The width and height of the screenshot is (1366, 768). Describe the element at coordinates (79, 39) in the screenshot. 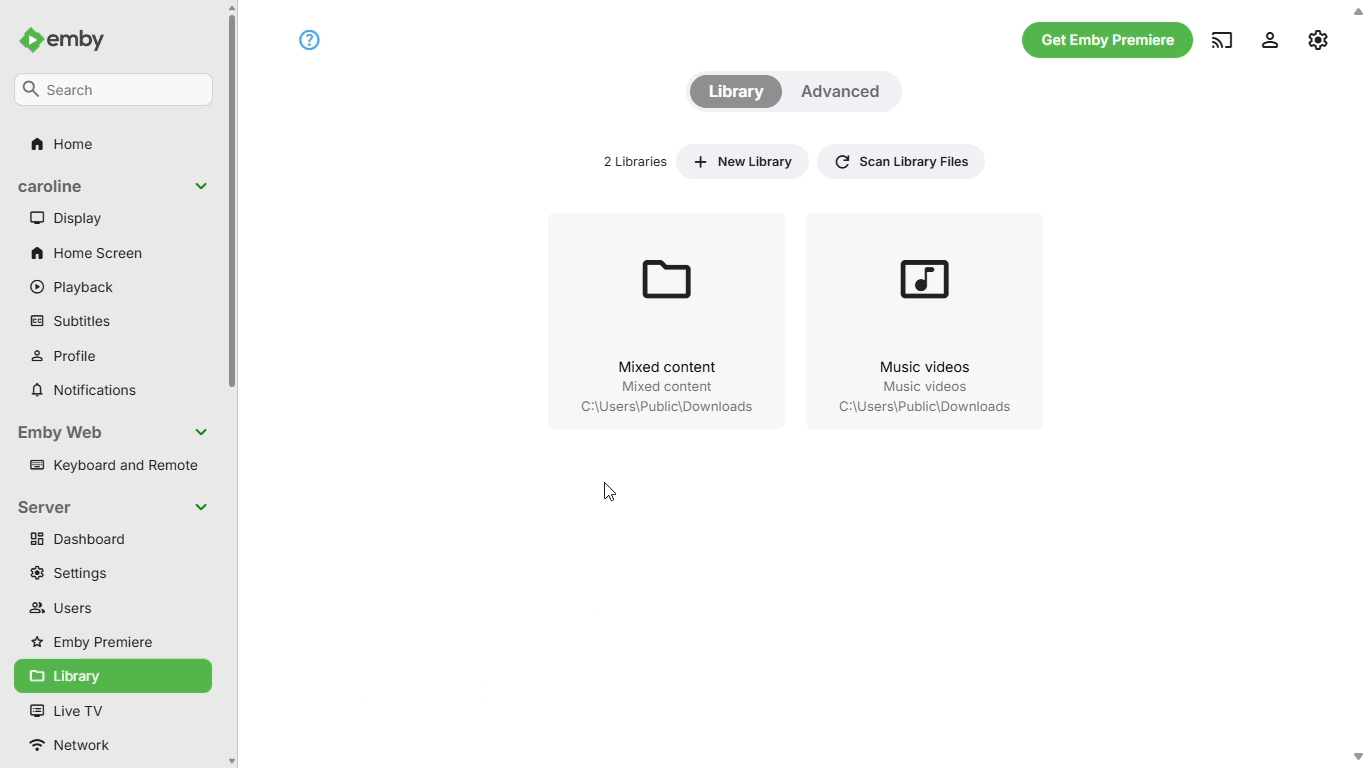

I see `emby` at that location.